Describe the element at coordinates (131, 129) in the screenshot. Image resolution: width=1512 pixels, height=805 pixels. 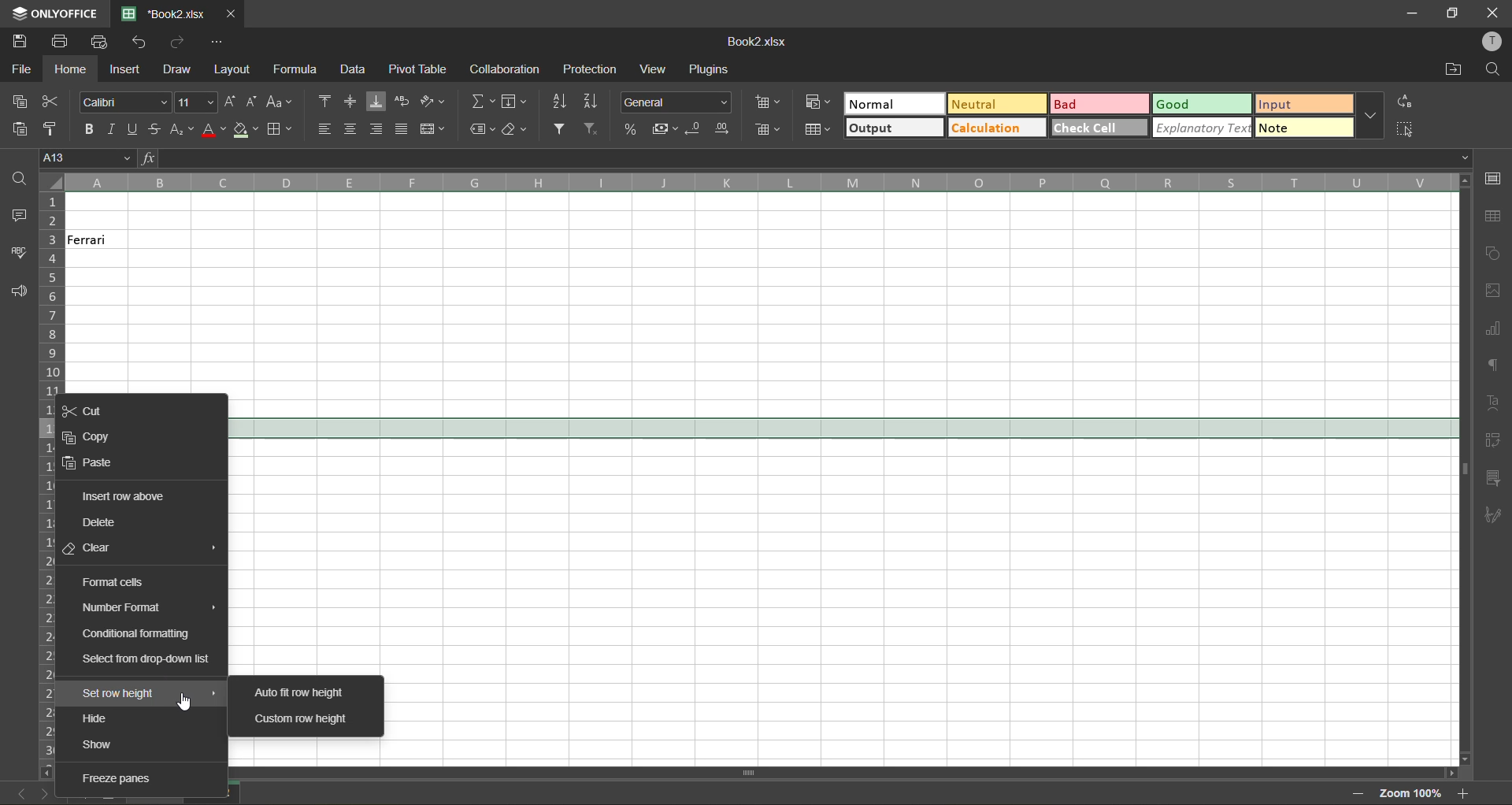
I see `underline` at that location.